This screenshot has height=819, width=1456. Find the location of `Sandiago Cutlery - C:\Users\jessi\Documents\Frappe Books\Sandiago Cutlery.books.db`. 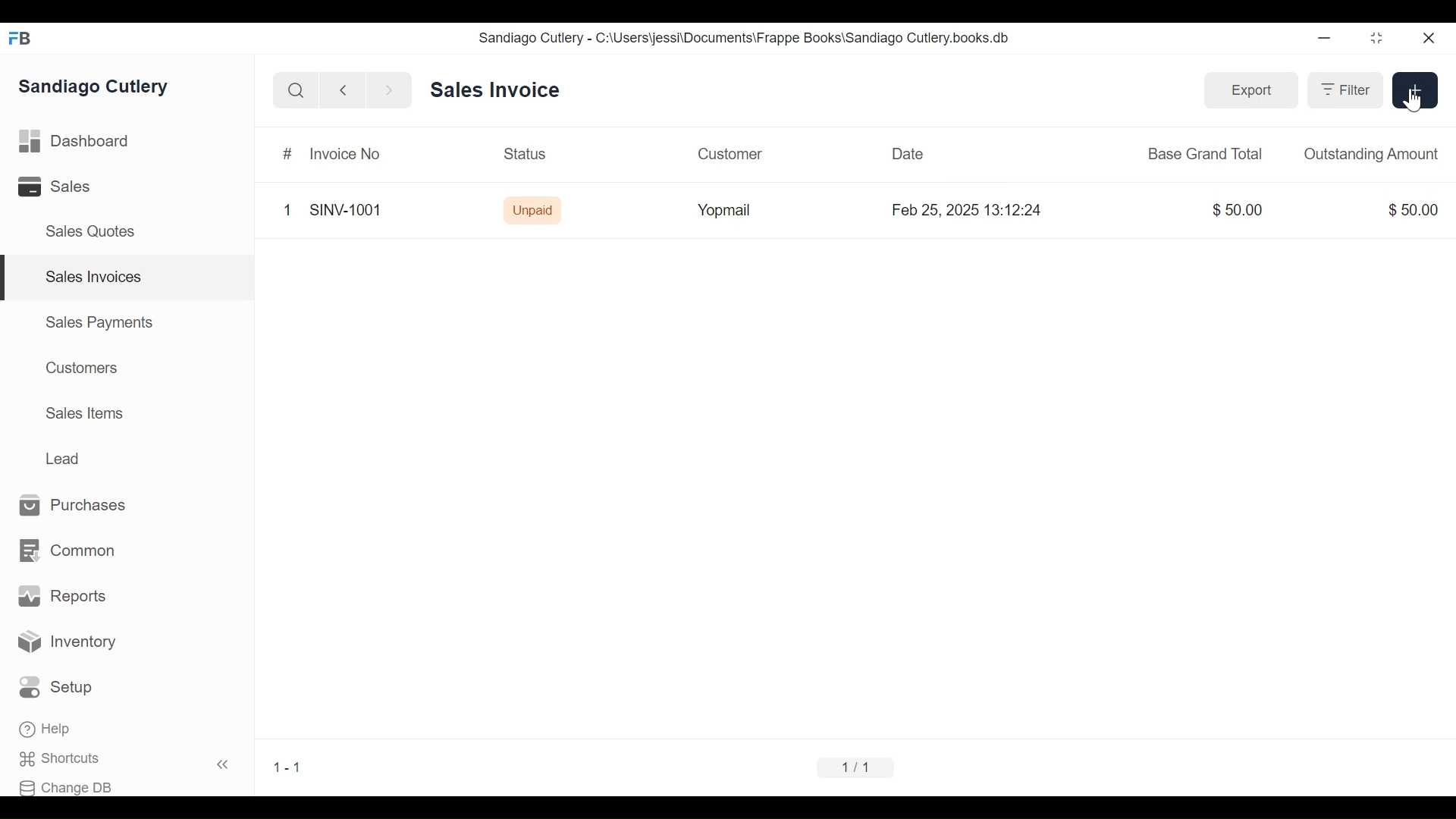

Sandiago Cutlery - C:\Users\jessi\Documents\Frappe Books\Sandiago Cutlery.books.db is located at coordinates (742, 37).